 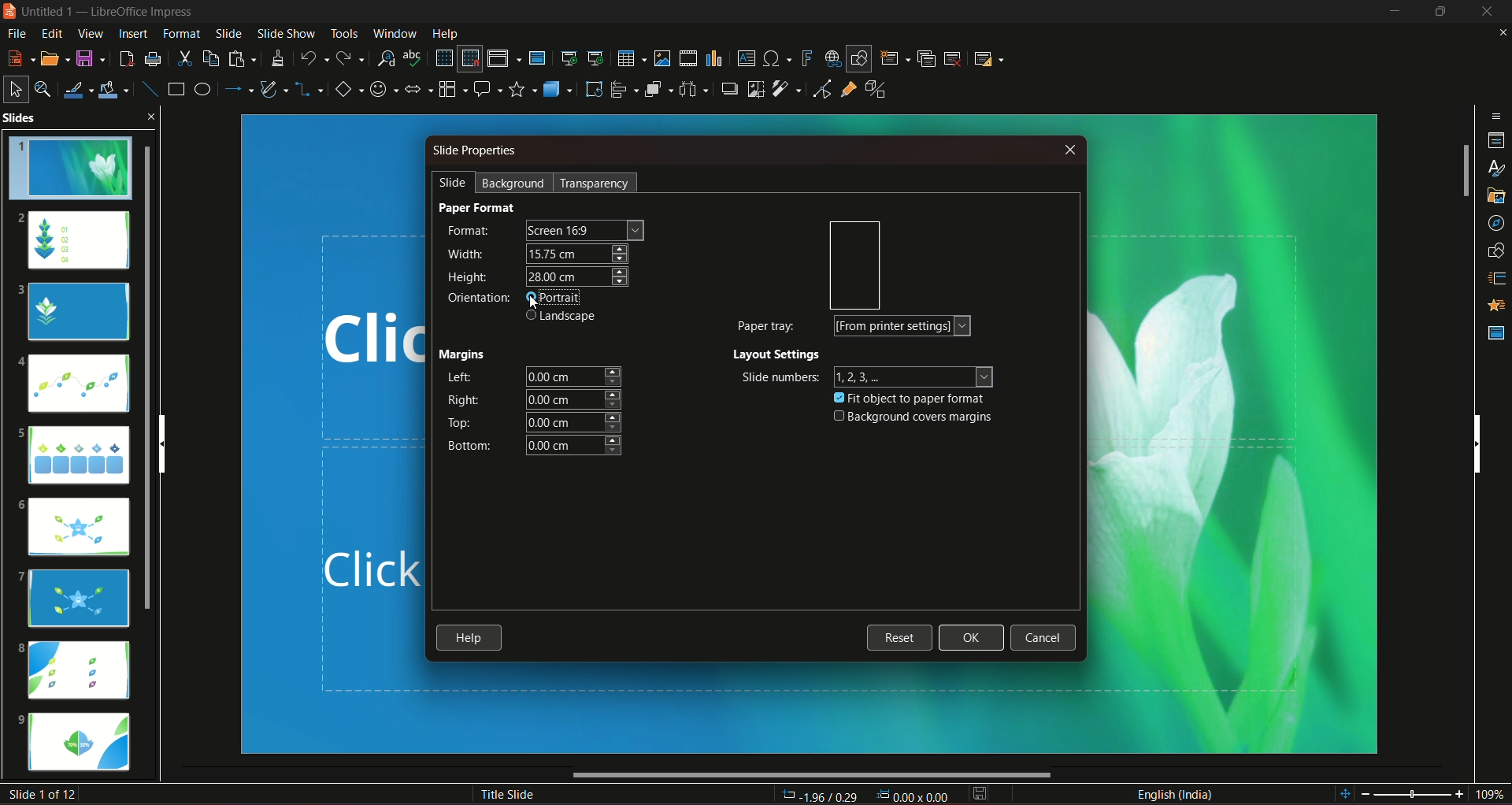 I want to click on properties, so click(x=1495, y=139).